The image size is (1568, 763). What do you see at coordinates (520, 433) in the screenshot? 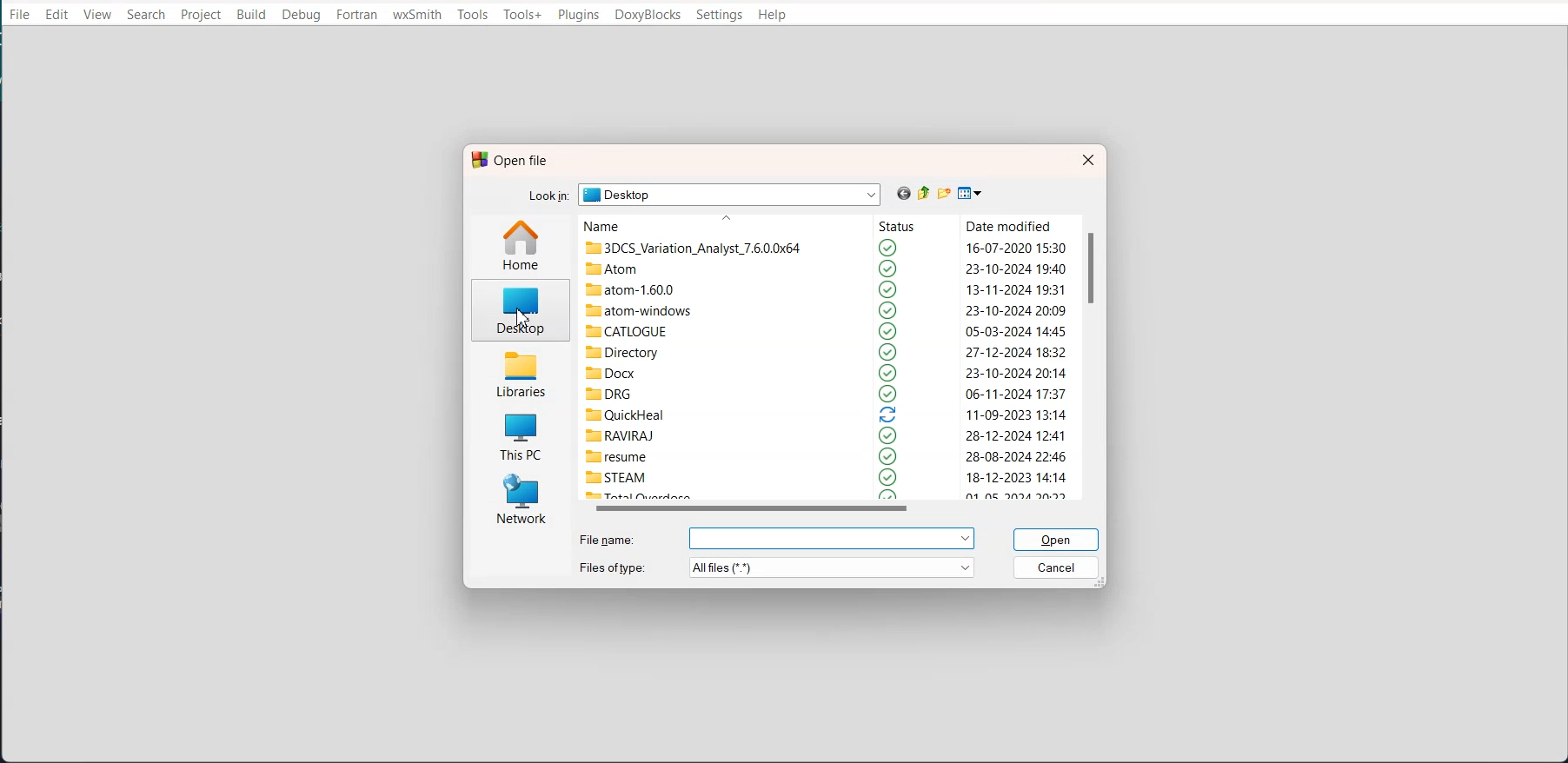
I see `This PC` at bounding box center [520, 433].